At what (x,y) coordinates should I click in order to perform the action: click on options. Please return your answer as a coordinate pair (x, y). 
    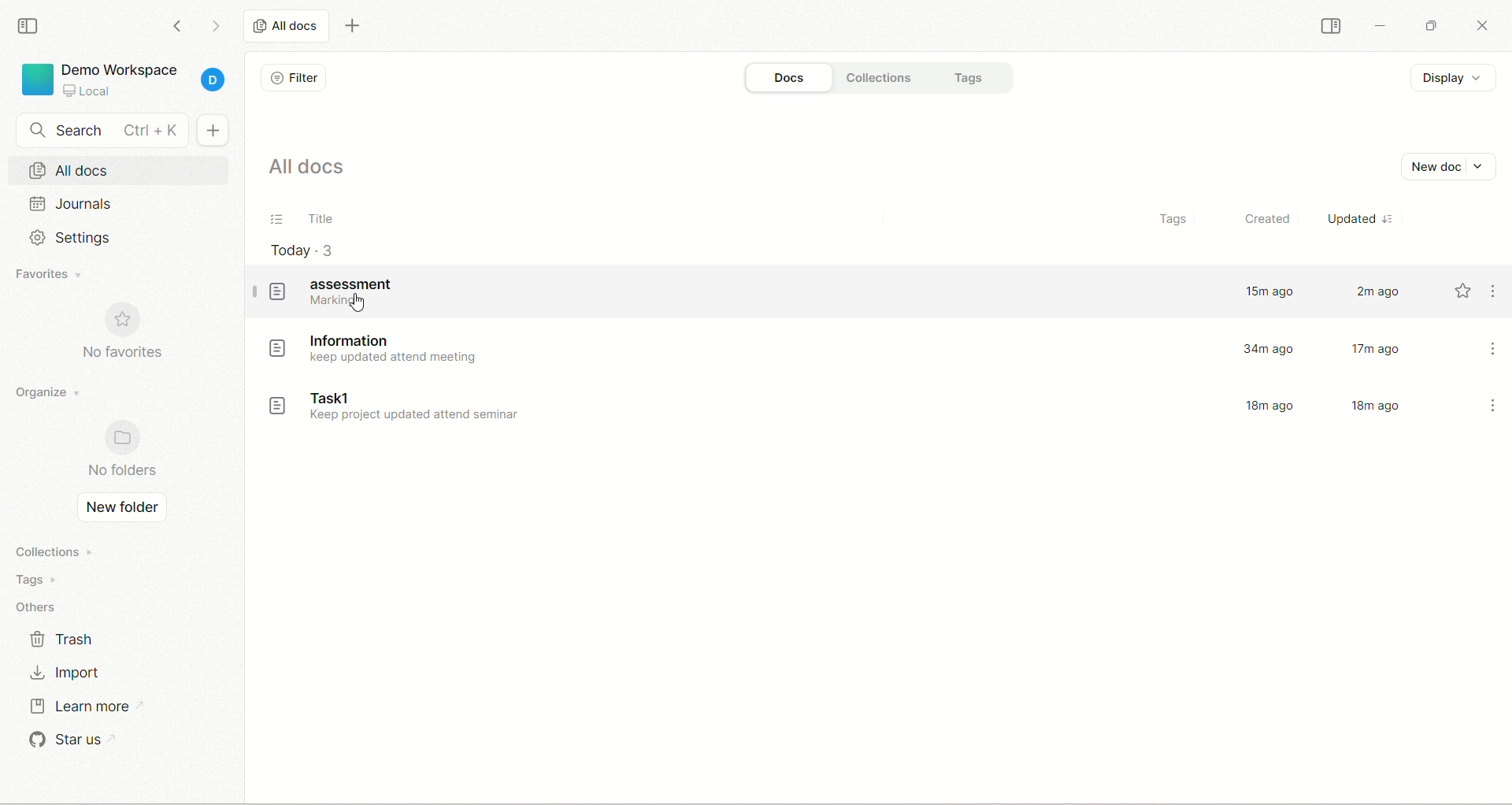
    Looking at the image, I should click on (1494, 347).